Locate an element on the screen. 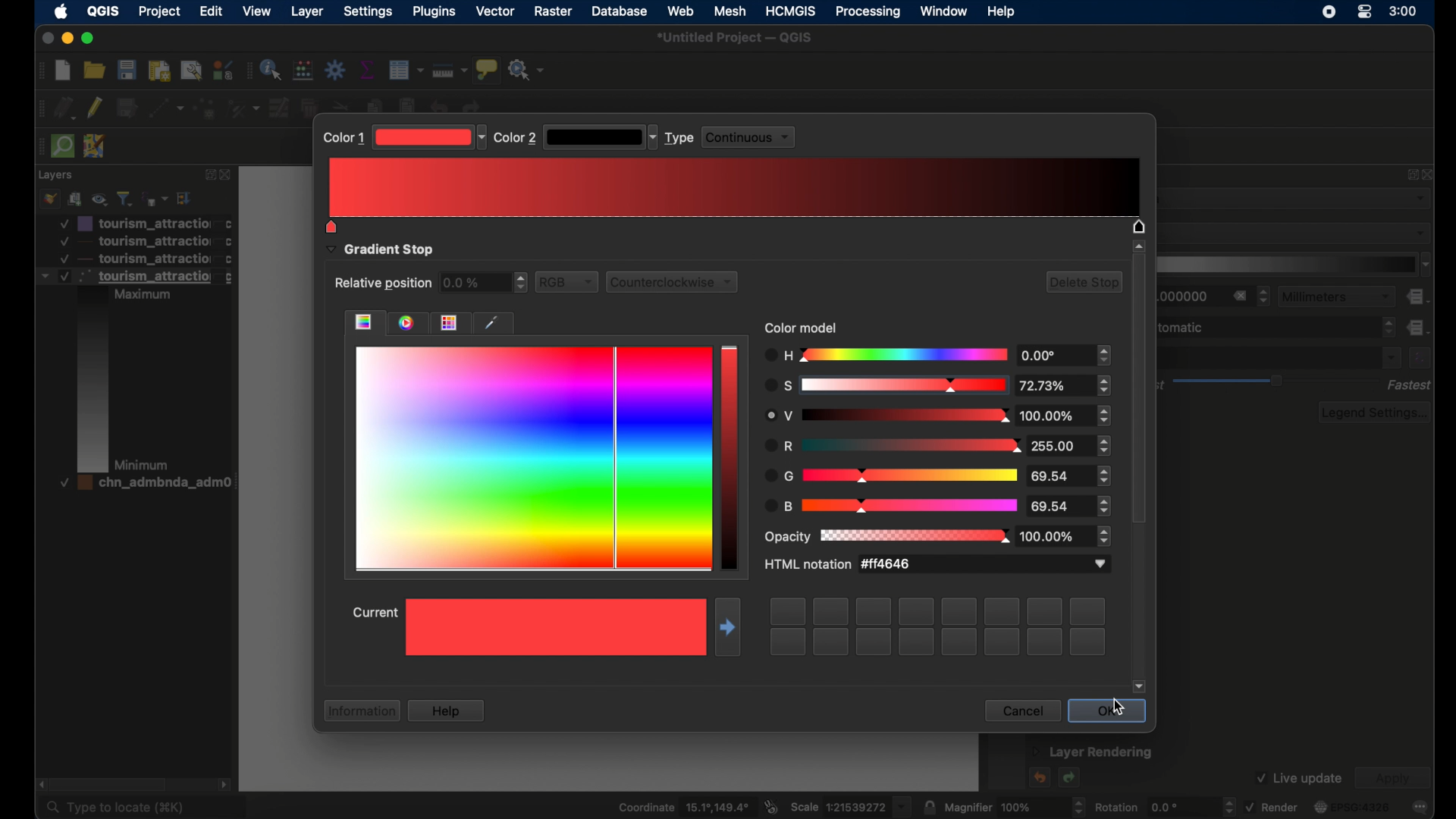 Image resolution: width=1456 pixels, height=819 pixels. print layout is located at coordinates (160, 71).